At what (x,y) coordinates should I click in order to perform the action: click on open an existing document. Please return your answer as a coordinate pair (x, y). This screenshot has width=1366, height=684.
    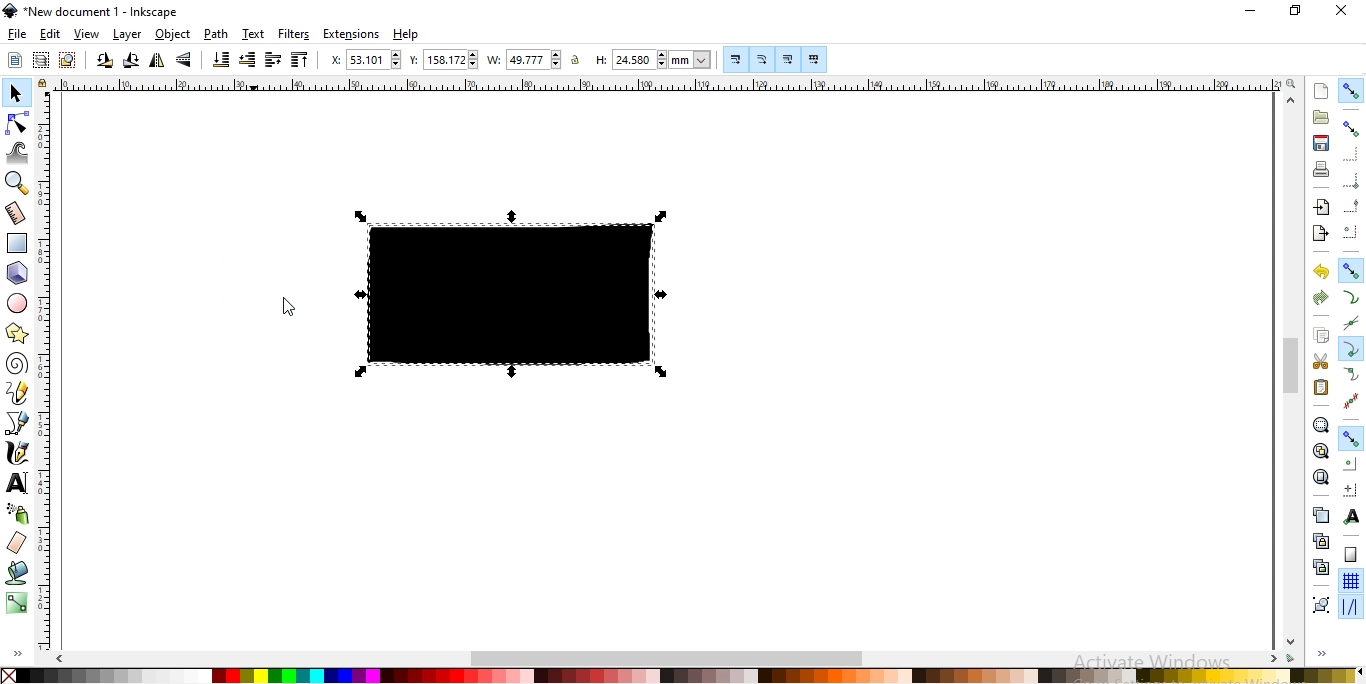
    Looking at the image, I should click on (1321, 118).